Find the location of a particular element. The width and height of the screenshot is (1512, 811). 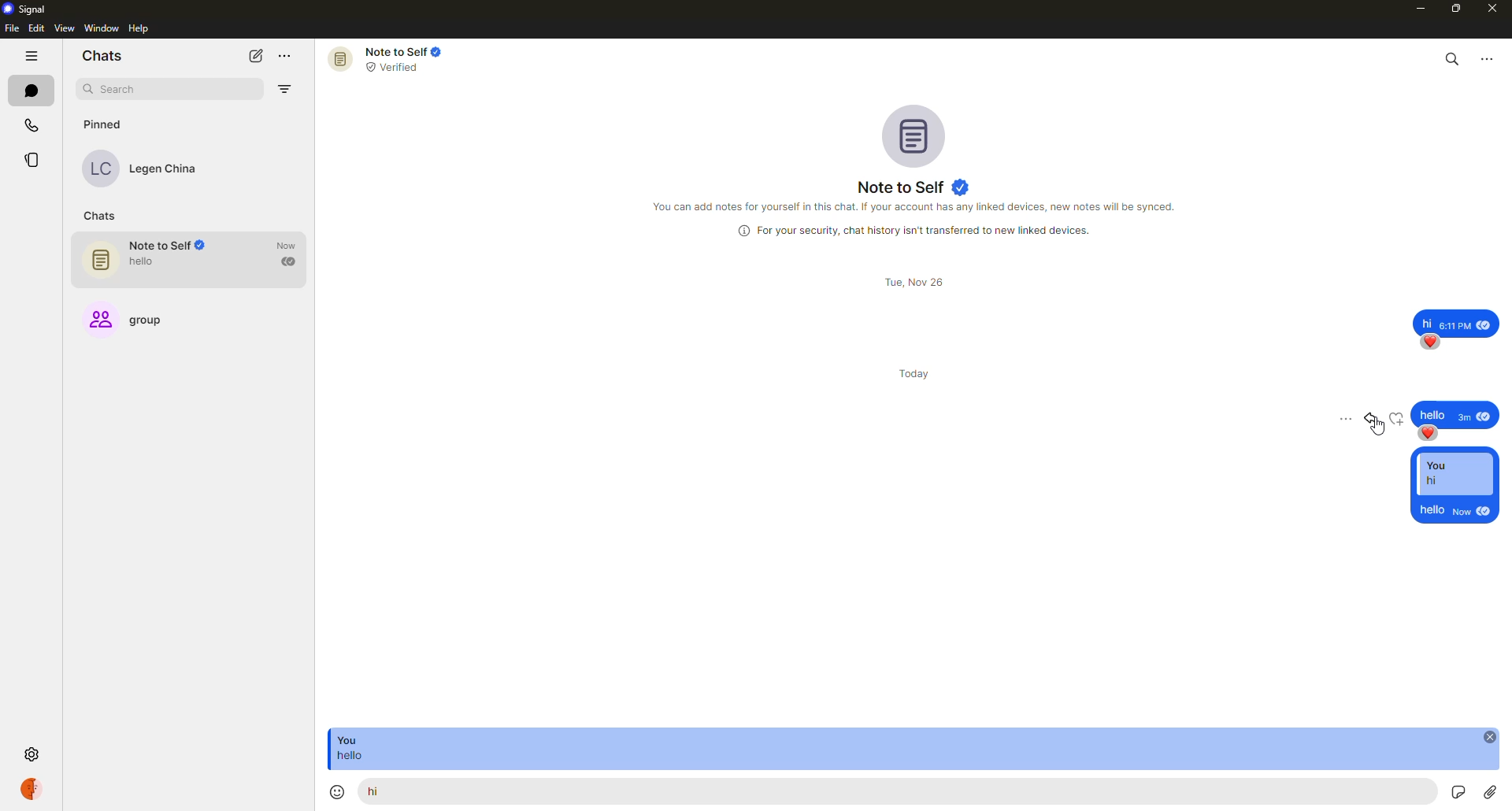

chats is located at coordinates (31, 91).